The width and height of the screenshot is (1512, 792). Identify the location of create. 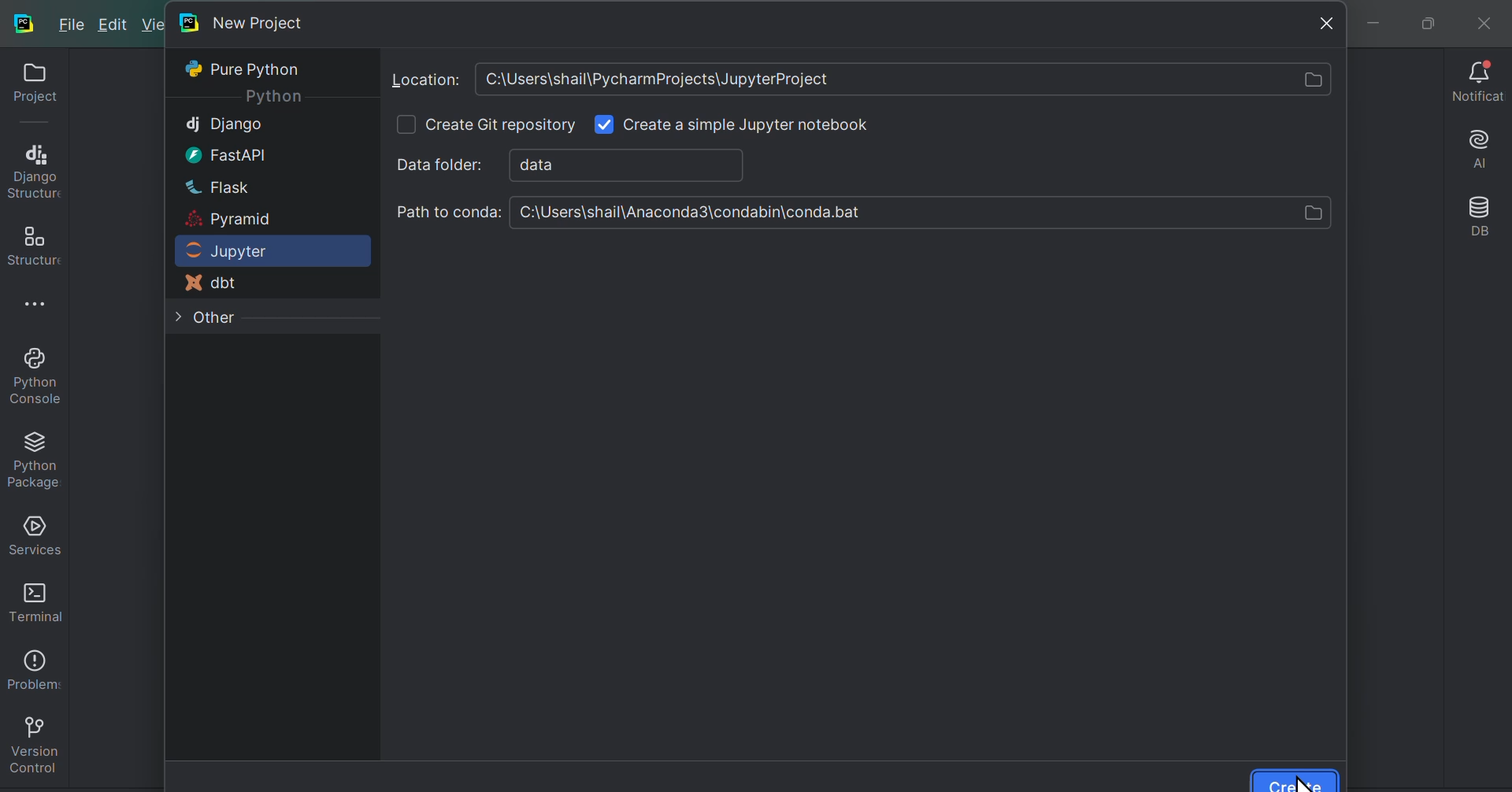
(1295, 779).